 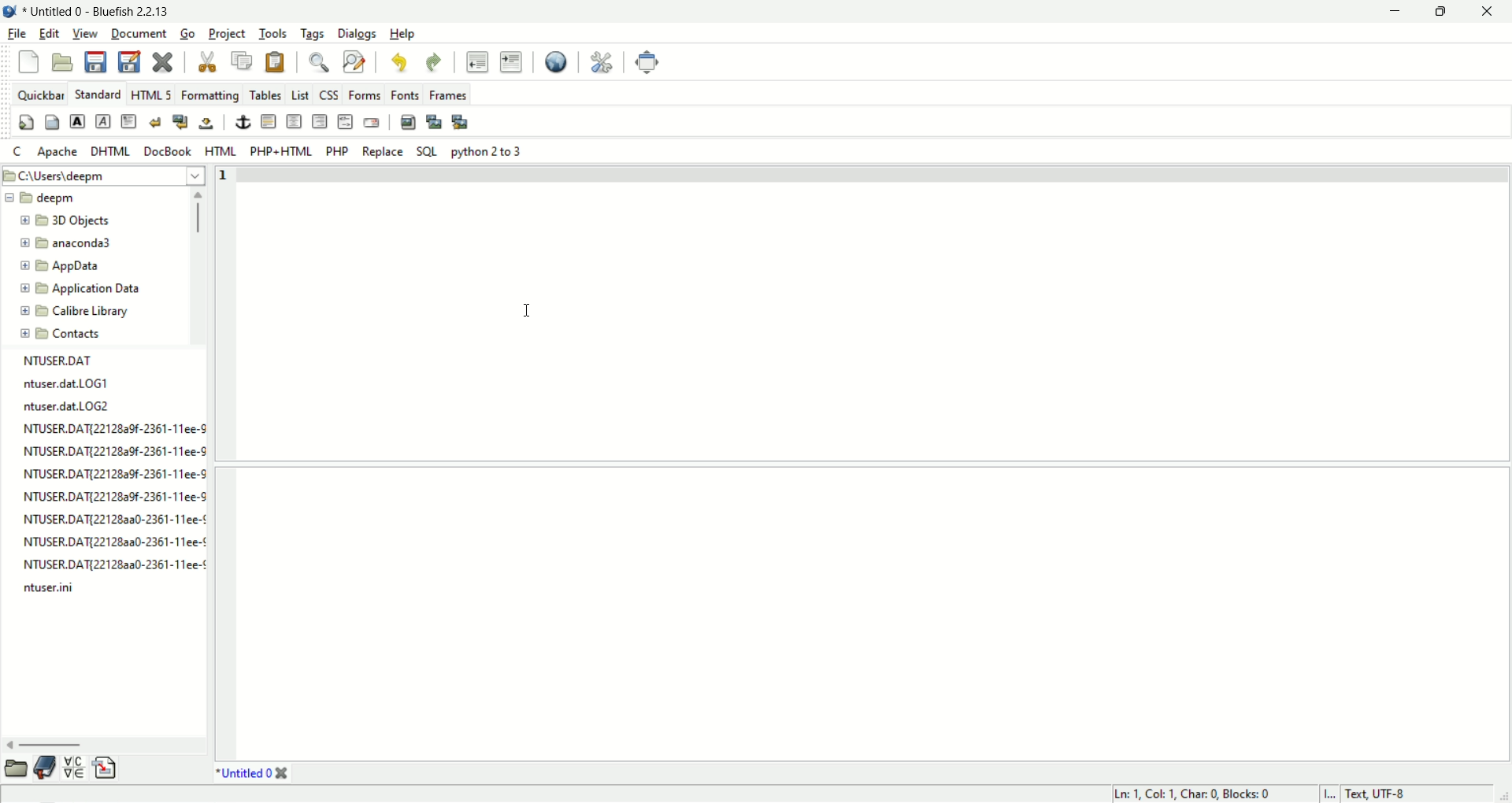 I want to click on unindent, so click(x=478, y=63).